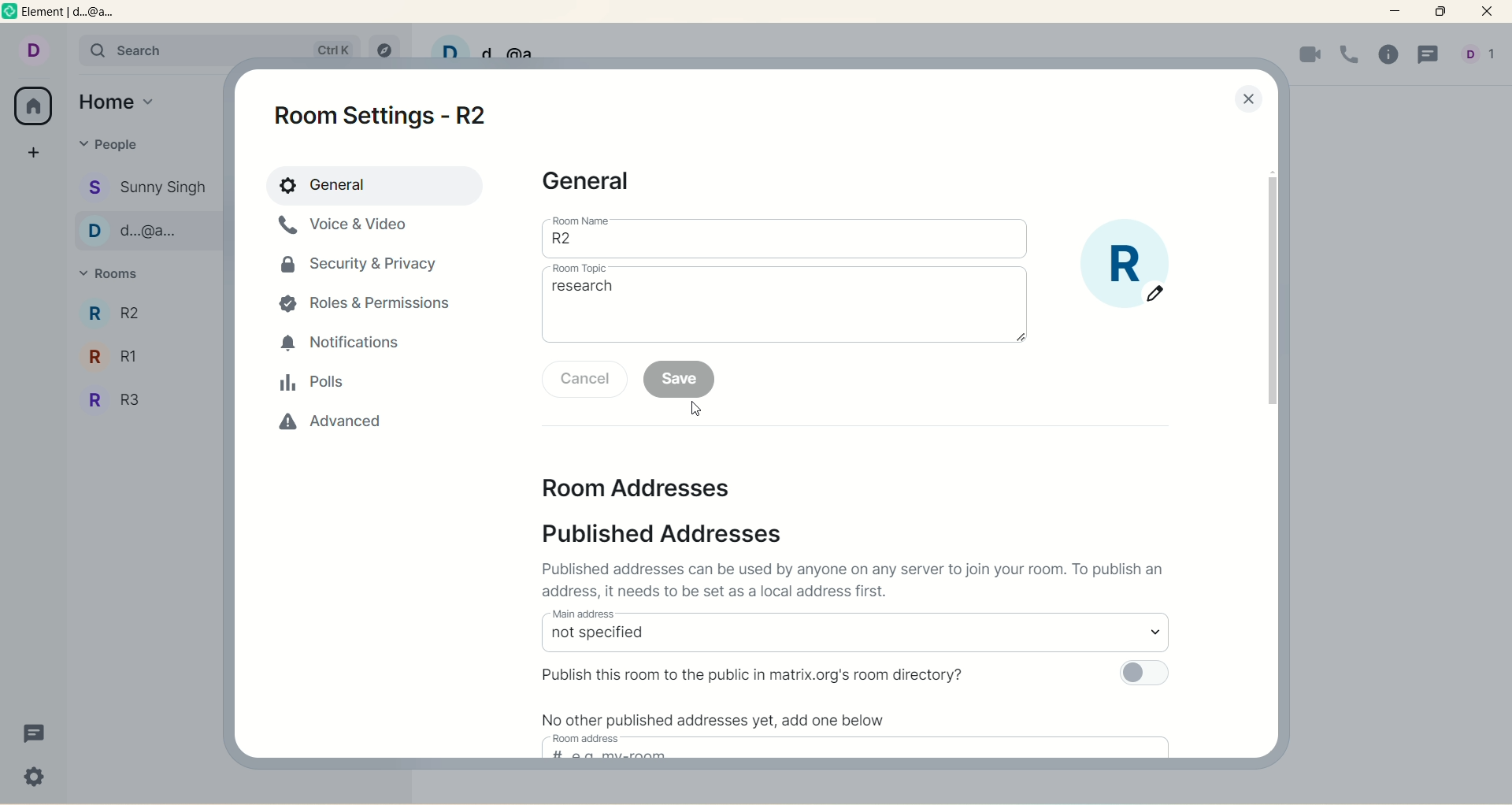  I want to click on account, so click(1482, 55).